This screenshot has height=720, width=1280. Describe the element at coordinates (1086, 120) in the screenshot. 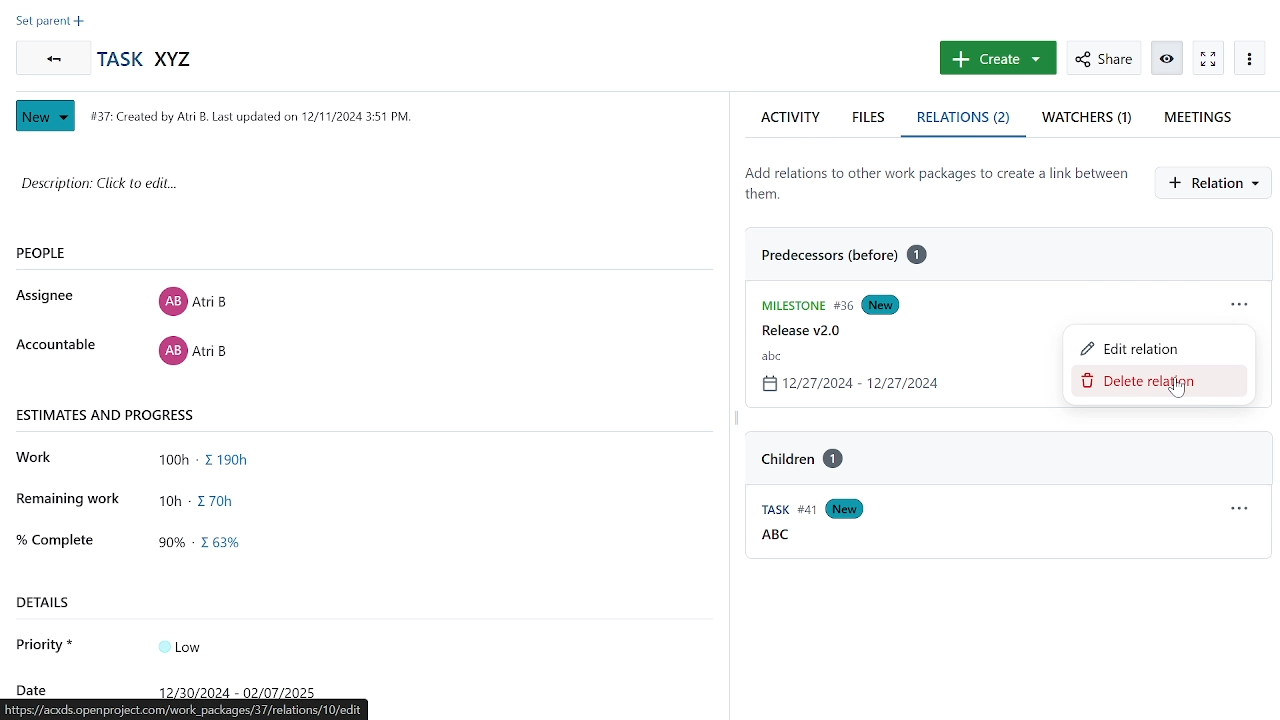

I see `watchers` at that location.